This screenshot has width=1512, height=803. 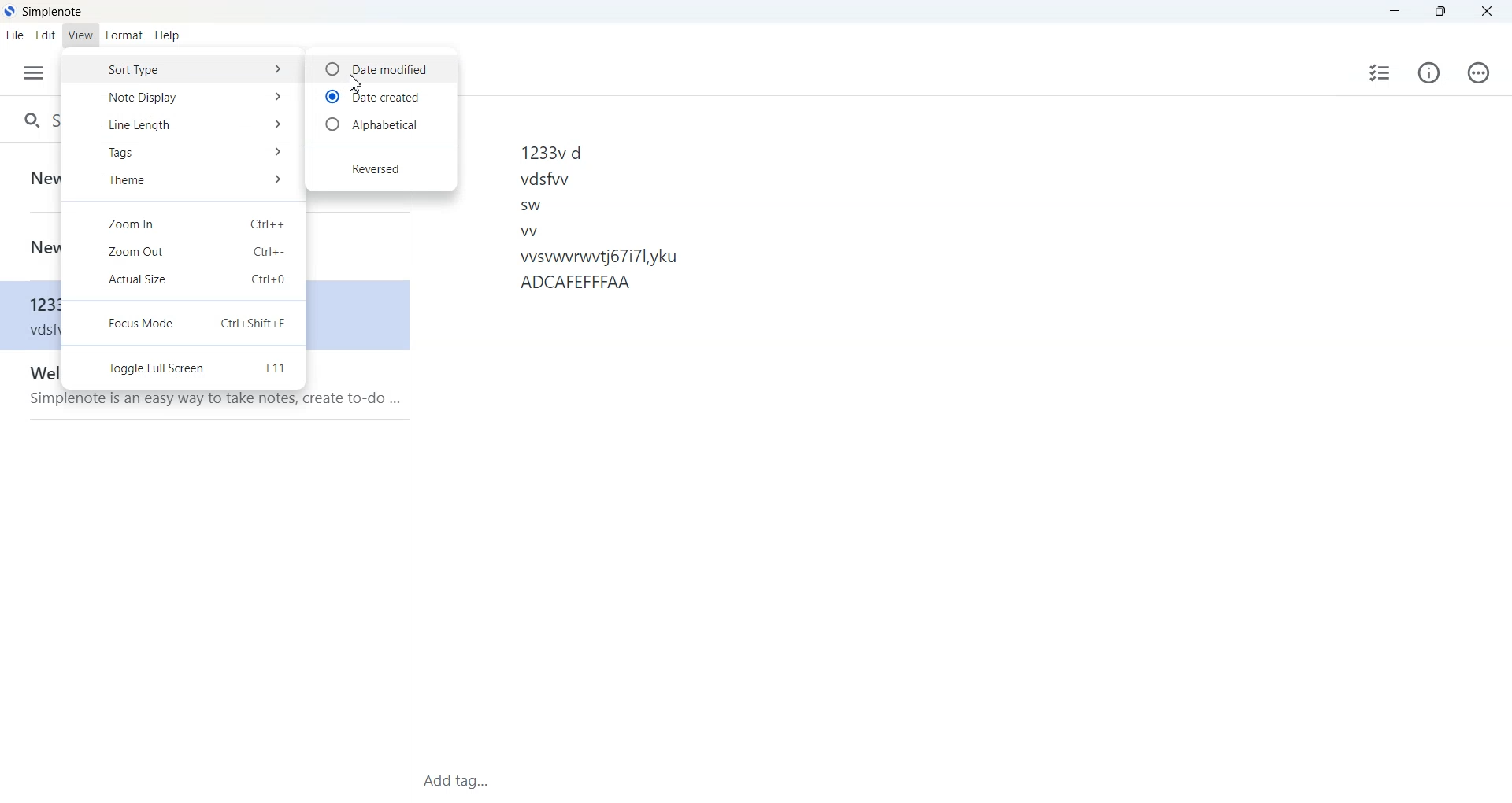 I want to click on Add tag, so click(x=506, y=781).